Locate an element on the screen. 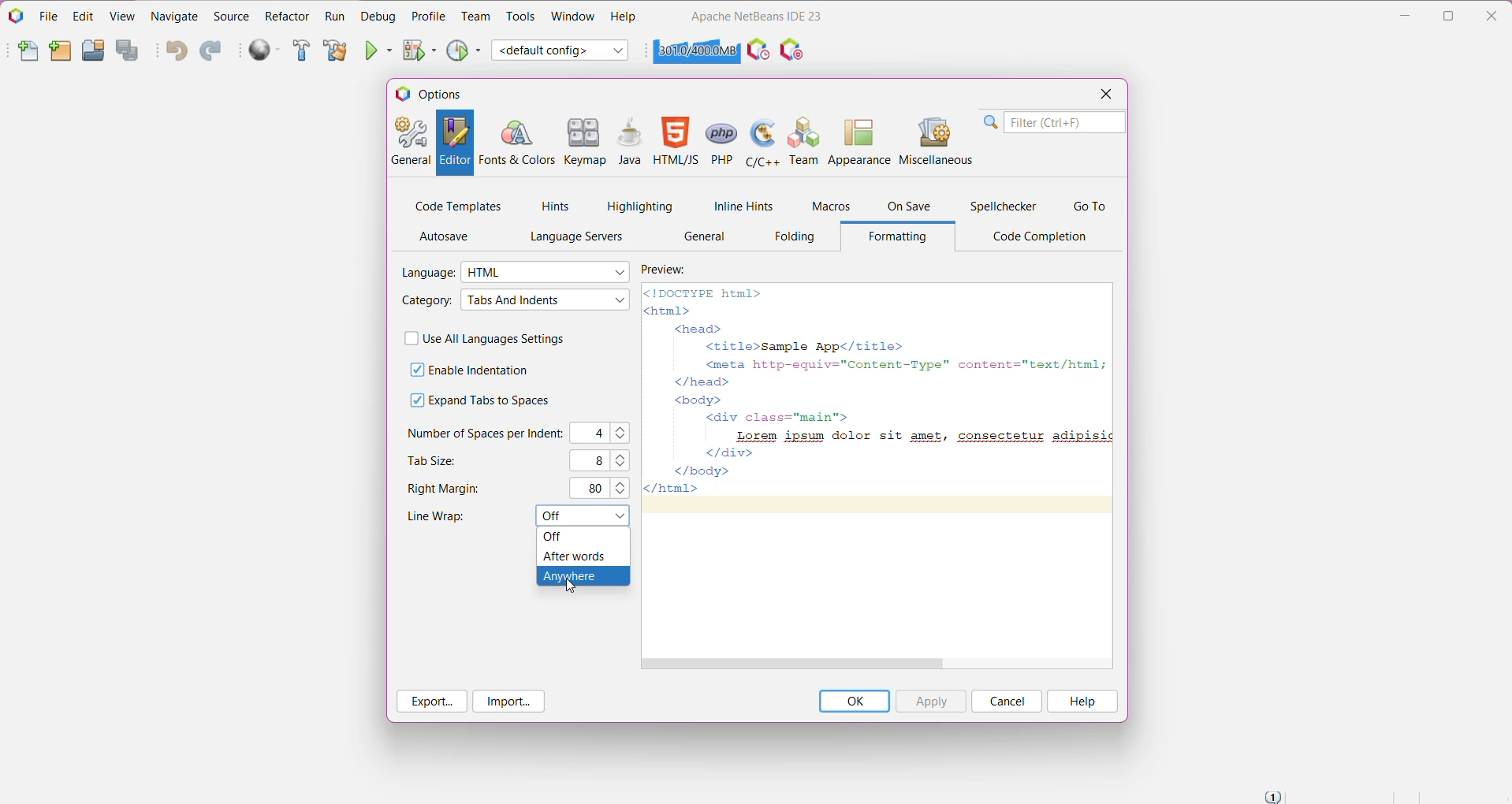 The image size is (1512, 804). Miscellaneous is located at coordinates (937, 140).